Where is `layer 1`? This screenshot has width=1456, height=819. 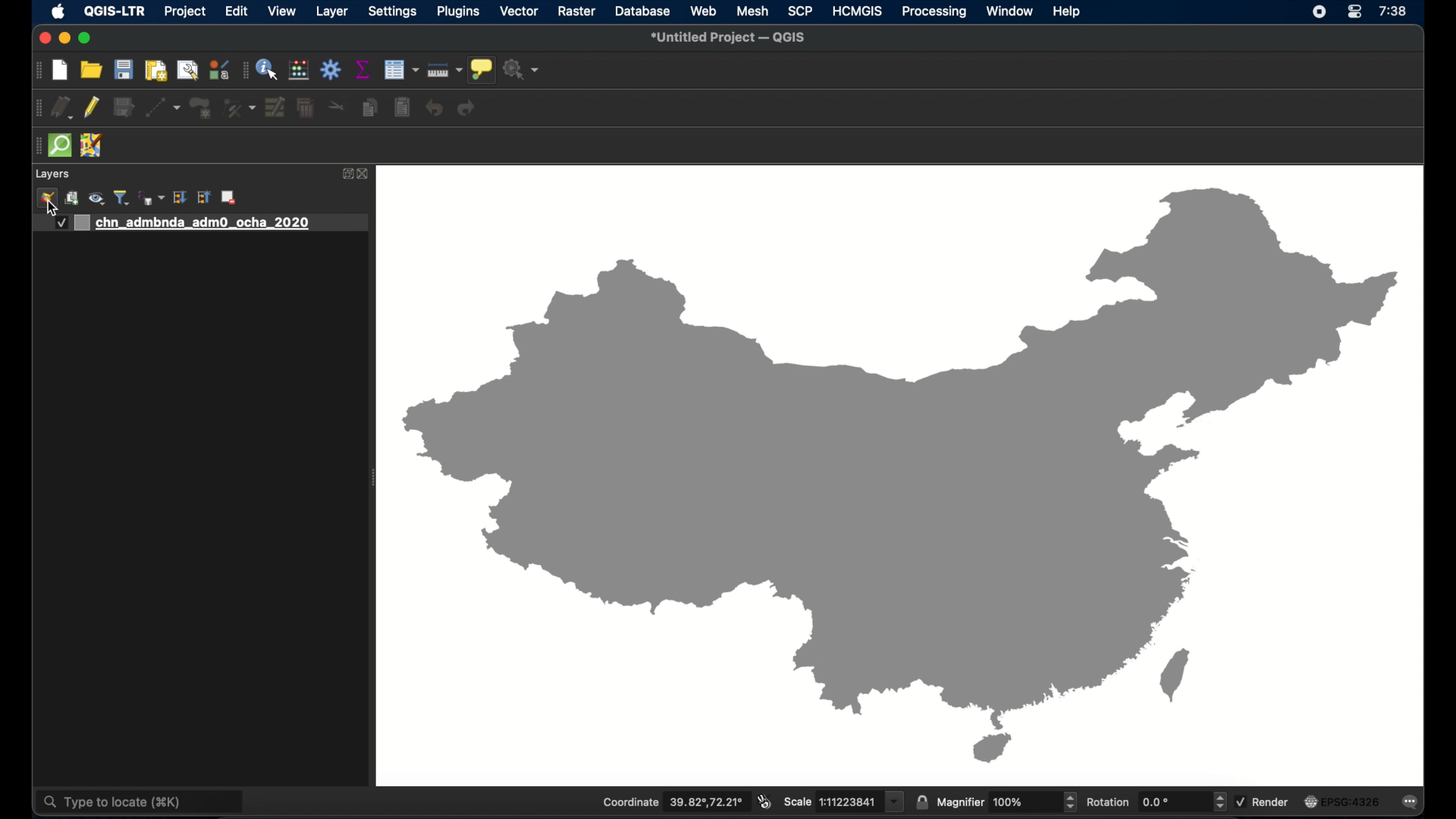
layer 1 is located at coordinates (200, 224).